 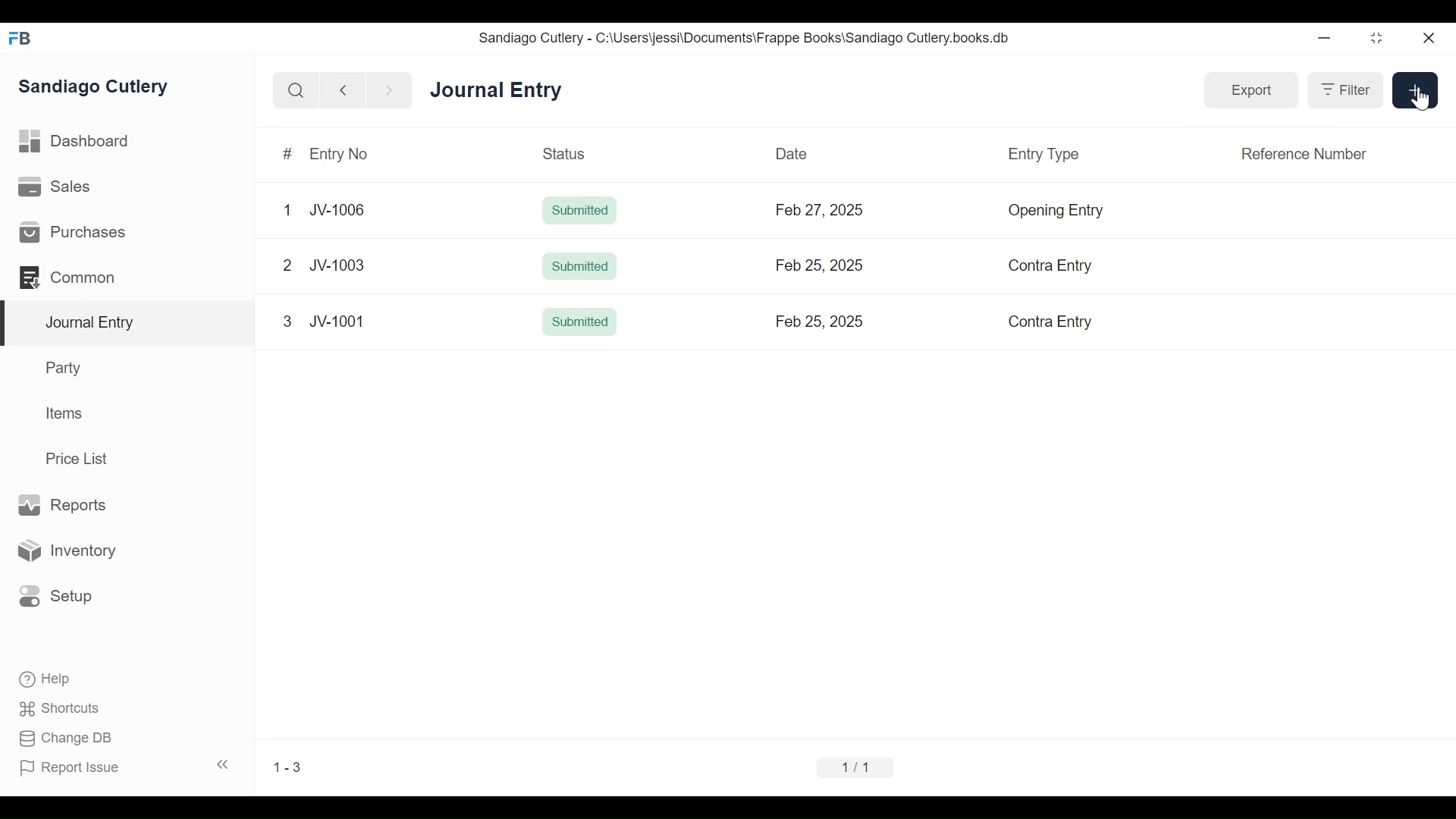 I want to click on add, so click(x=1417, y=91).